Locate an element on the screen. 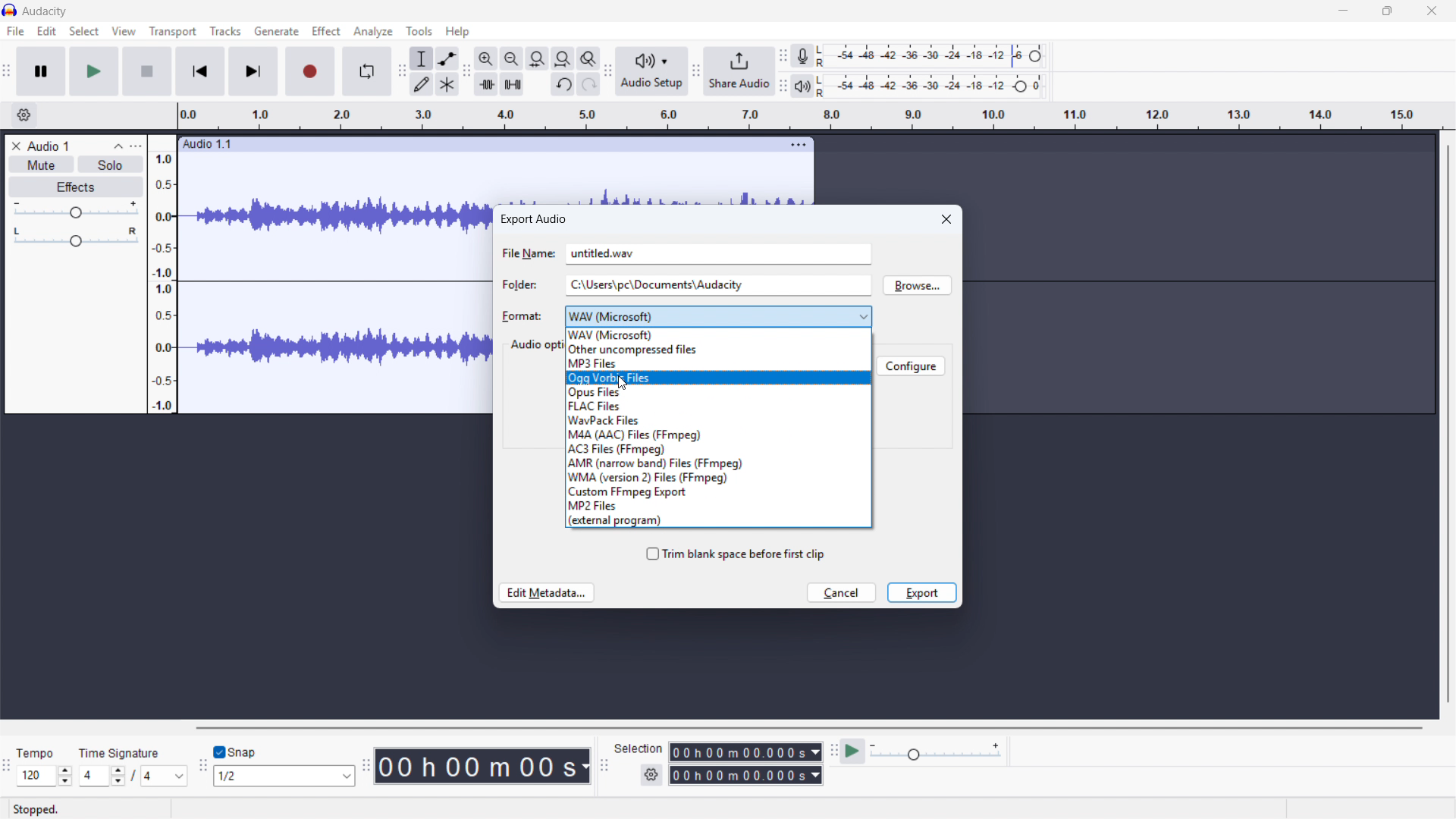 The width and height of the screenshot is (1456, 819). Audio setup  is located at coordinates (653, 71).